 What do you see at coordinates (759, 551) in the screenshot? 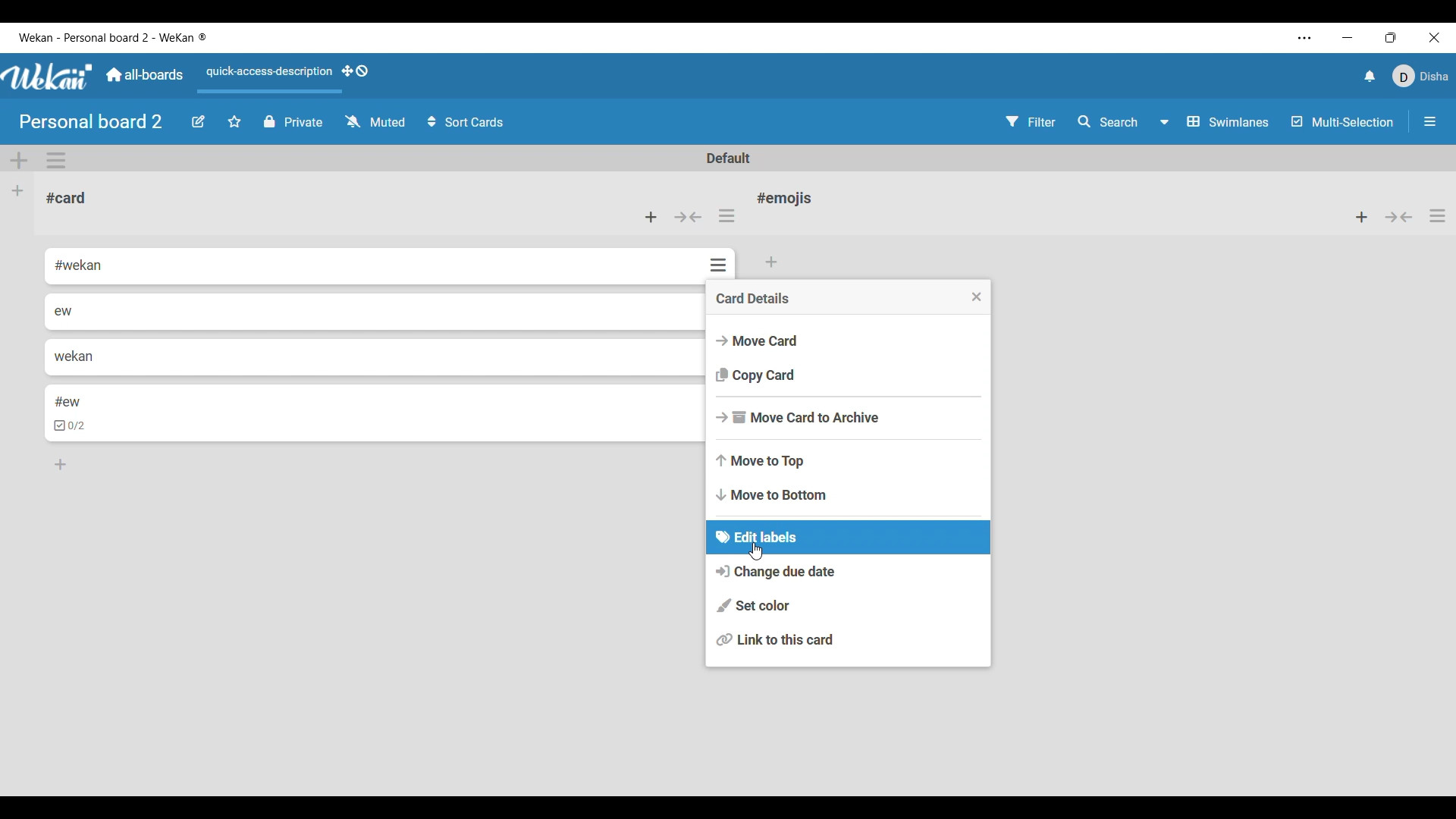
I see `cursor` at bounding box center [759, 551].